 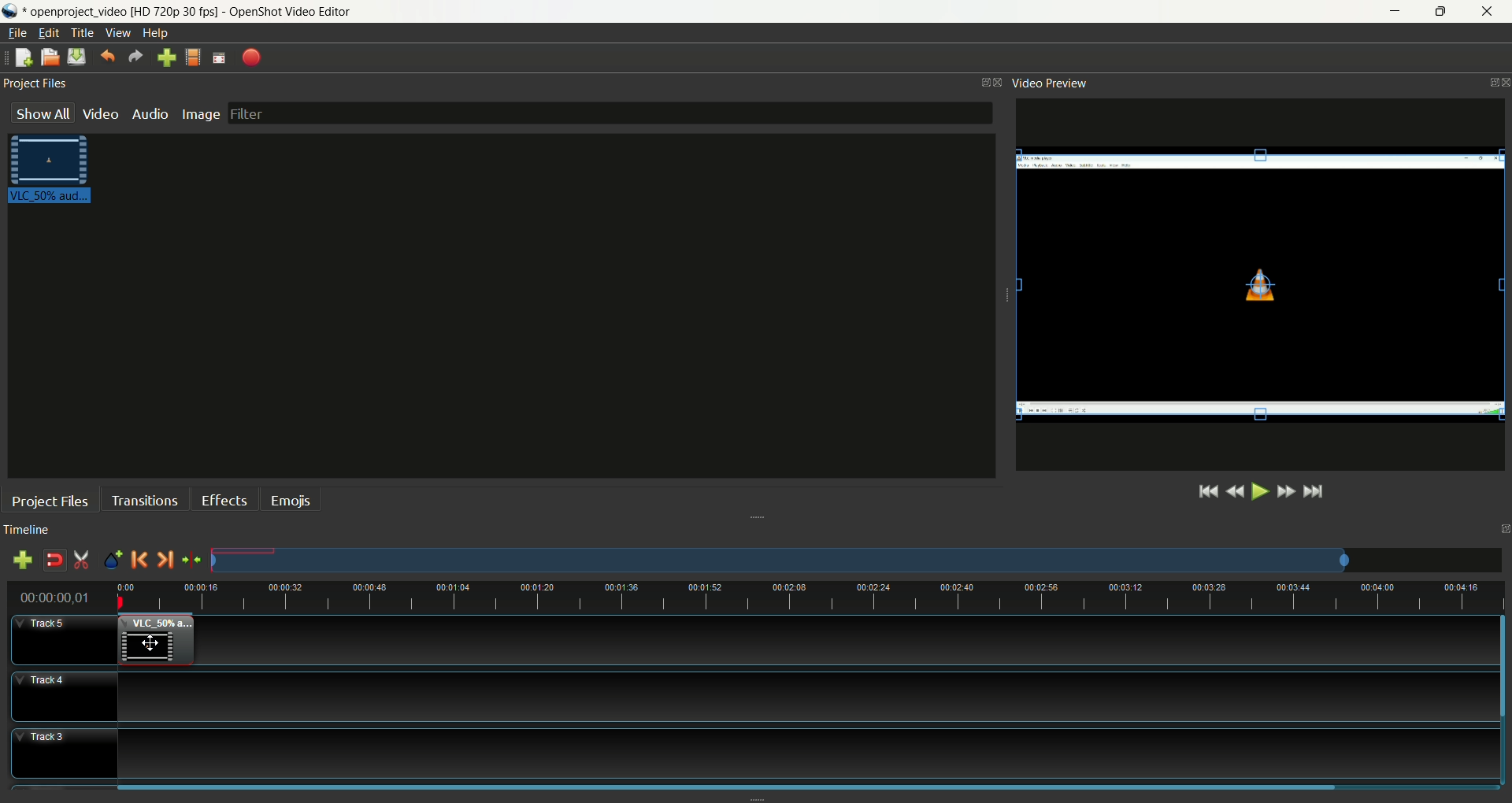 I want to click on video preview, so click(x=1055, y=83).